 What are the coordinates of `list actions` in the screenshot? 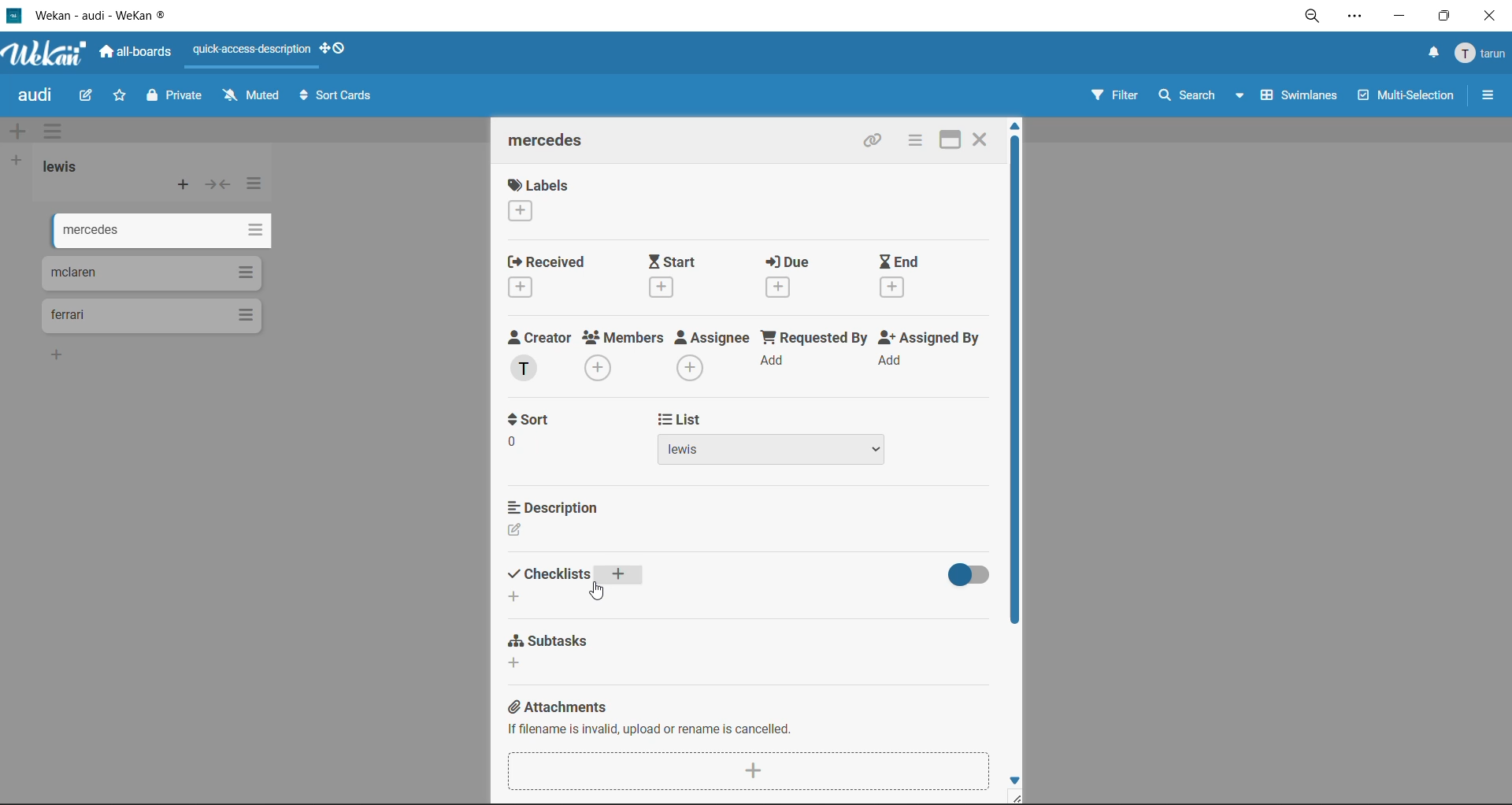 It's located at (256, 184).